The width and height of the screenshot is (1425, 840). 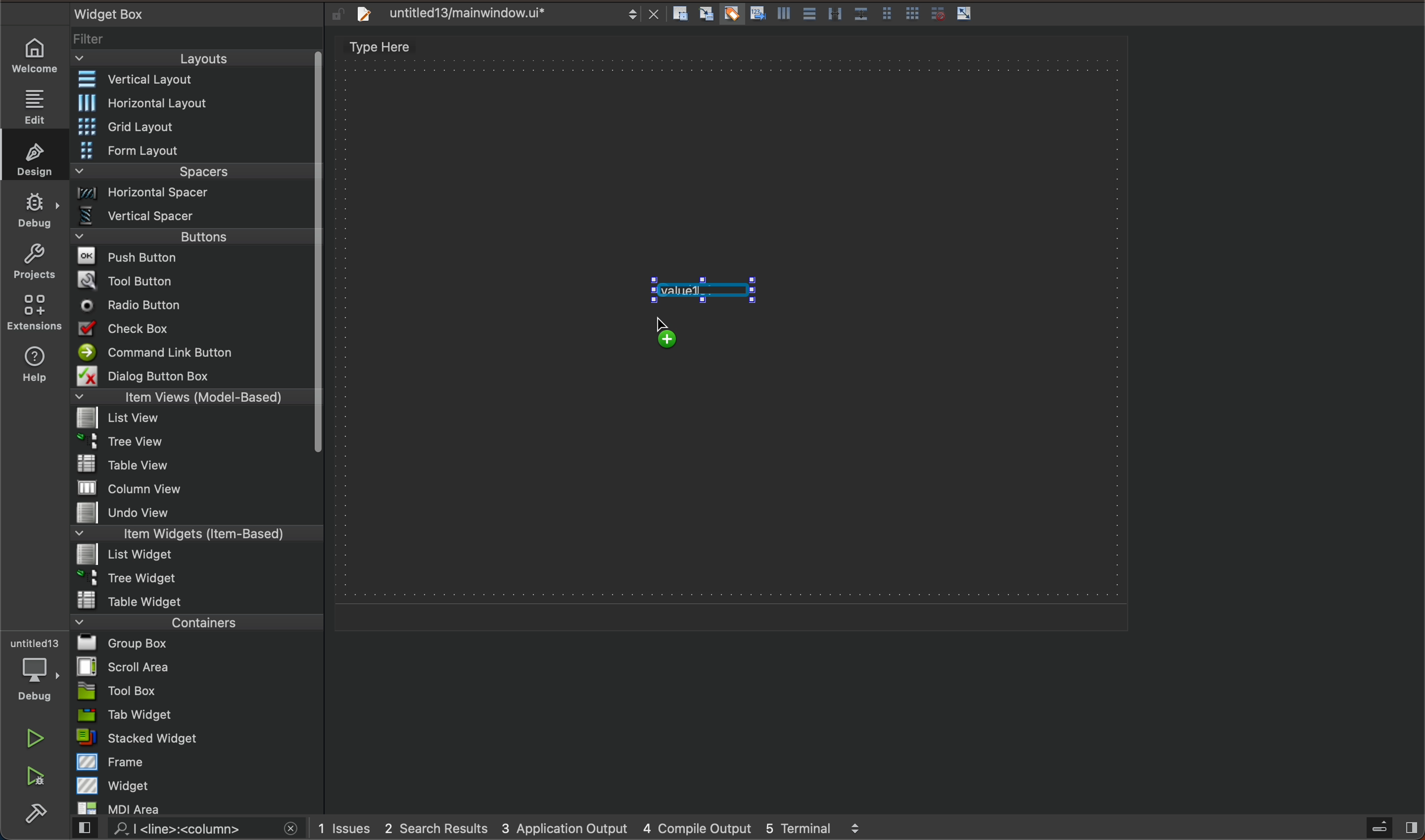 What do you see at coordinates (190, 422) in the screenshot?
I see `list view` at bounding box center [190, 422].